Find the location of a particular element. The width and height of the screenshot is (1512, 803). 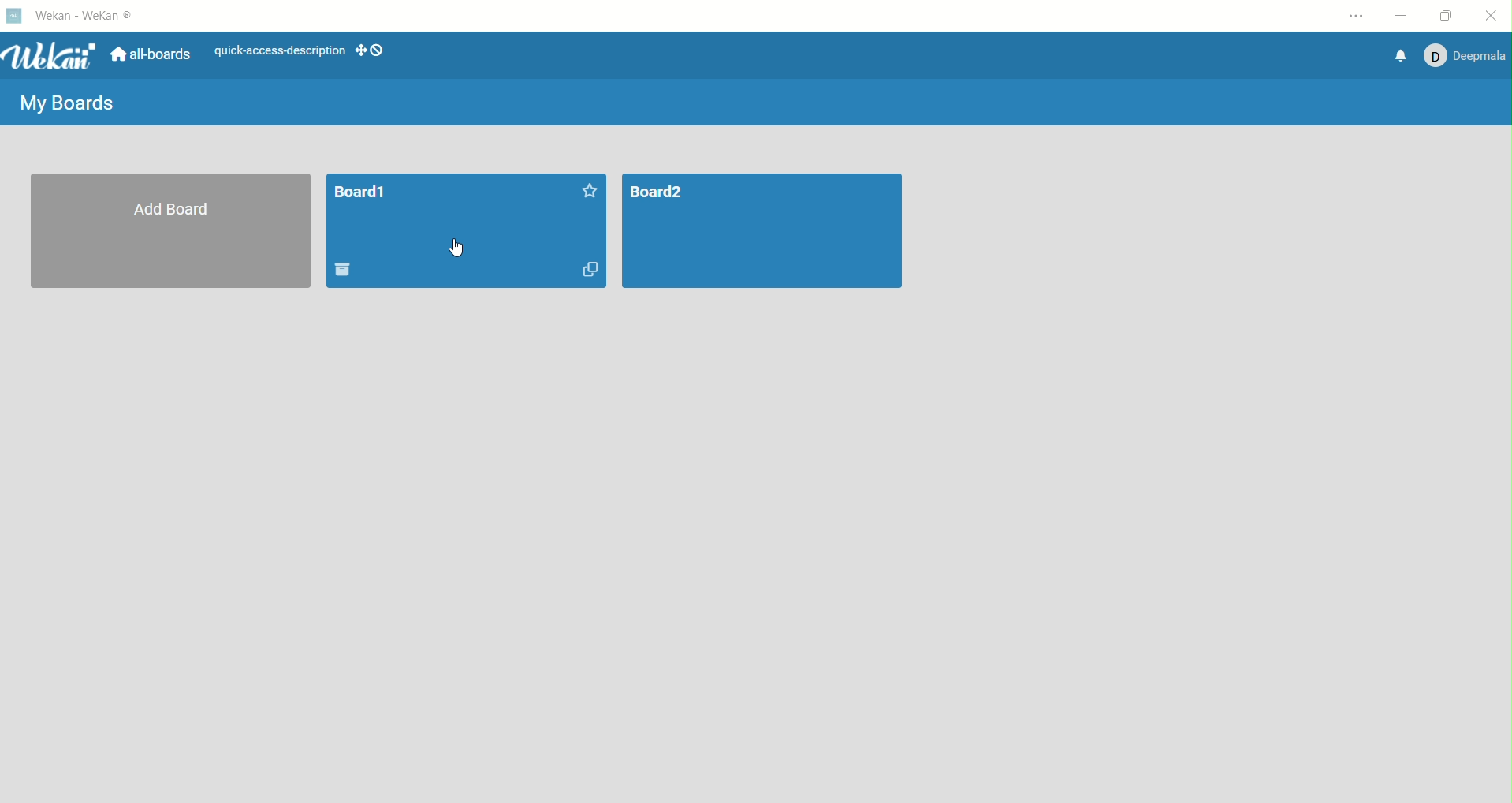

board2 is located at coordinates (763, 232).